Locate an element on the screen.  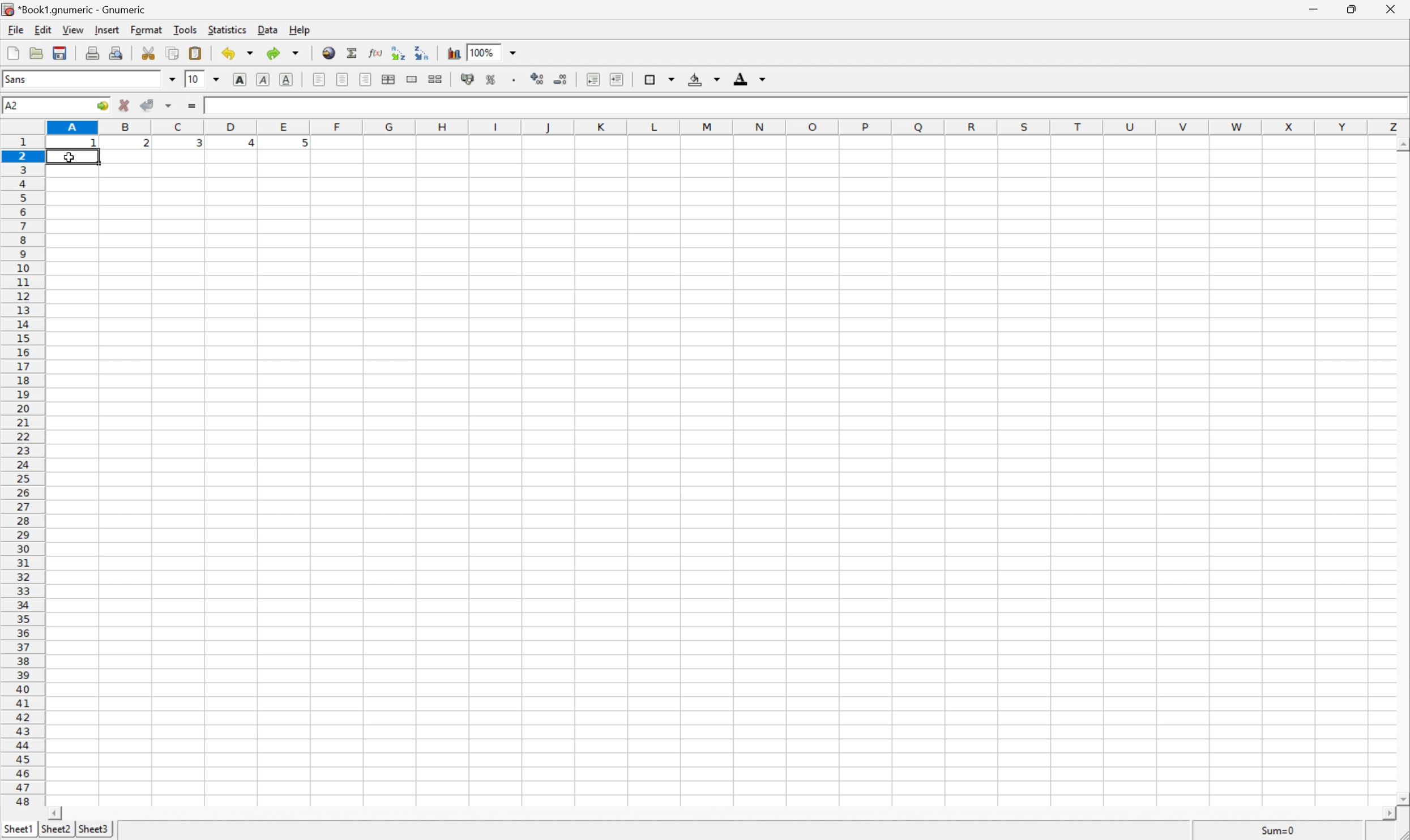
sum in current cell is located at coordinates (354, 53).